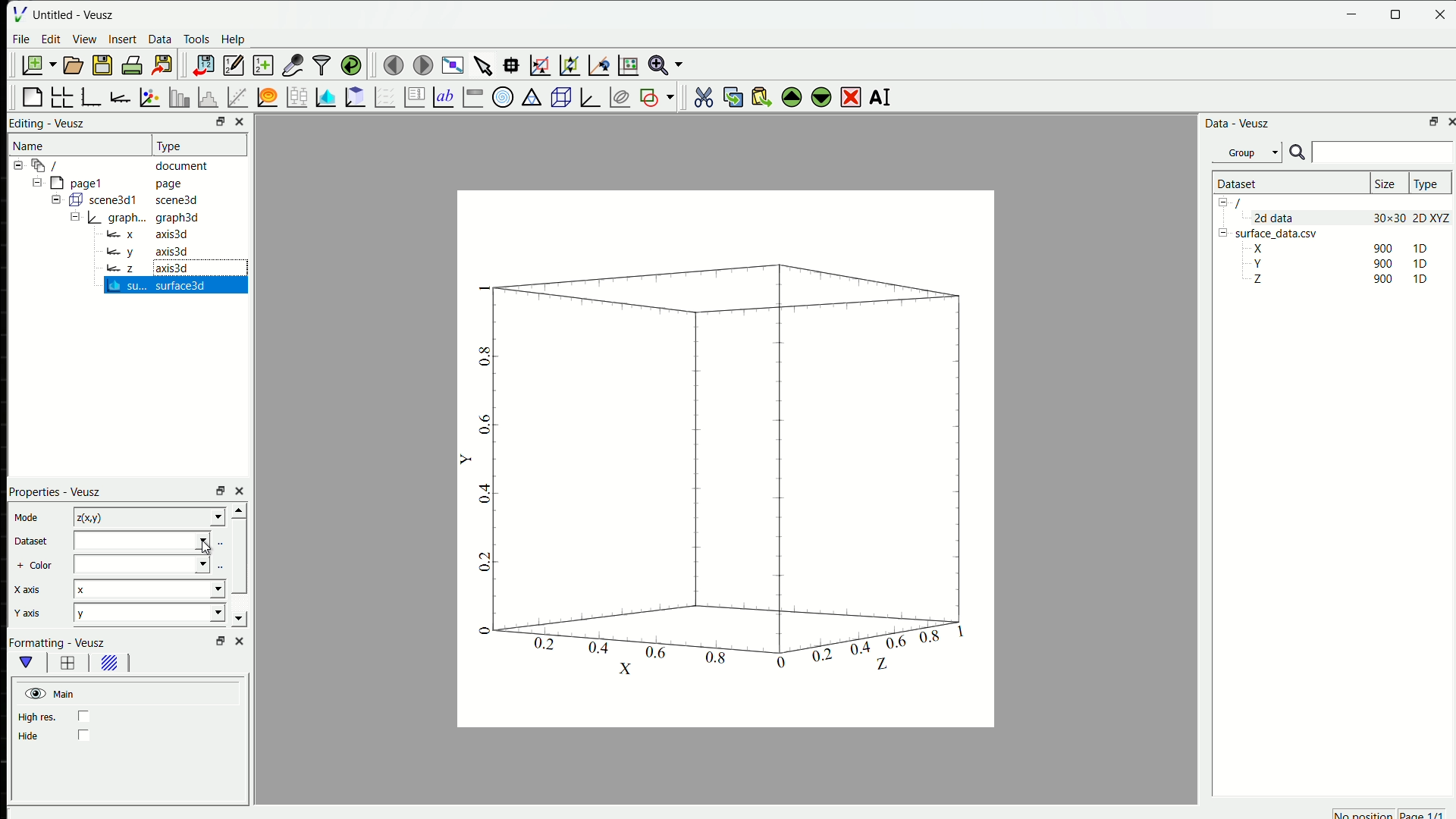  Describe the element at coordinates (621, 96) in the screenshot. I see `plot covariance ellipses ` at that location.